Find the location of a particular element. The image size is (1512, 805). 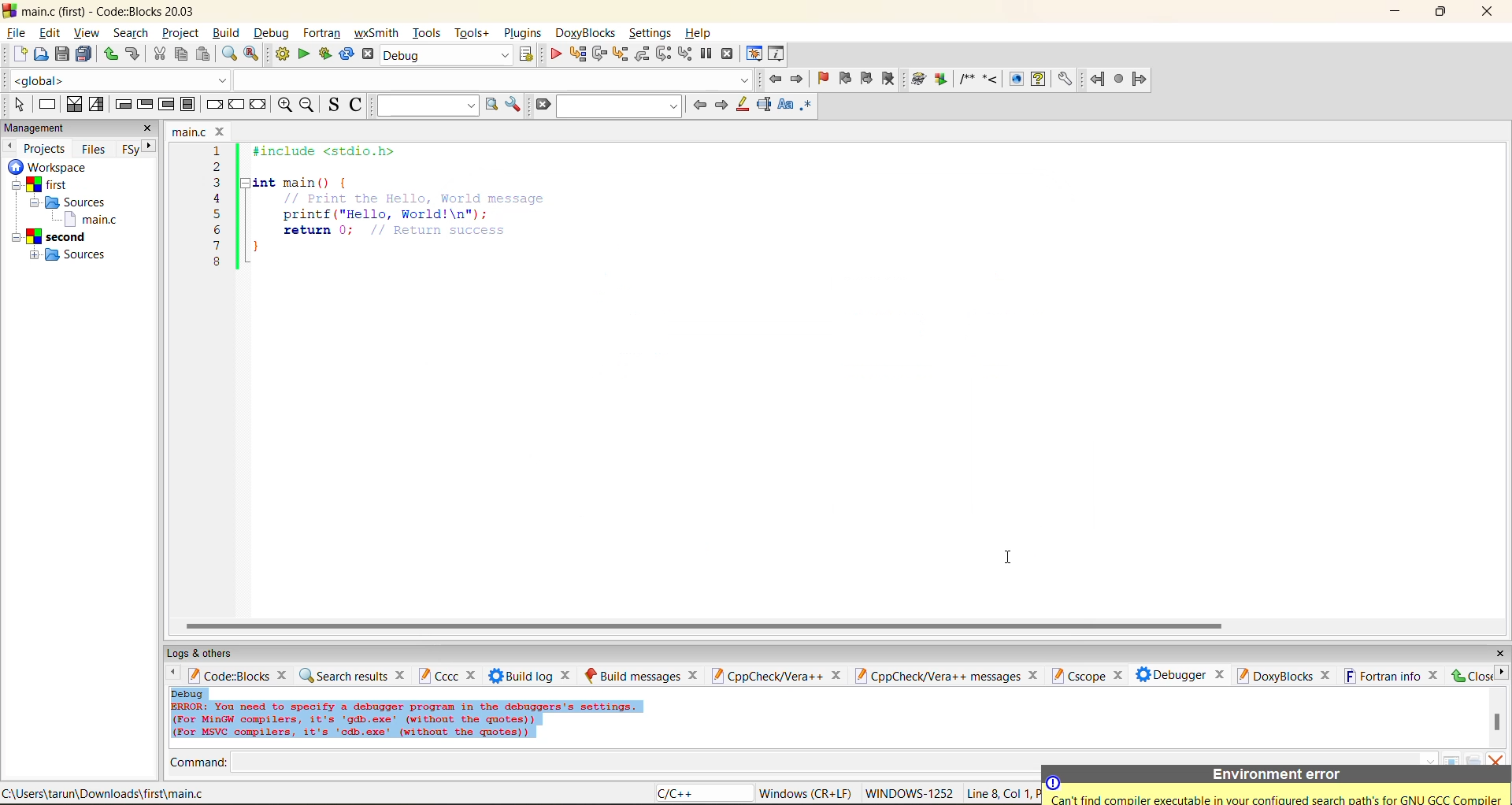

run is located at coordinates (304, 54).